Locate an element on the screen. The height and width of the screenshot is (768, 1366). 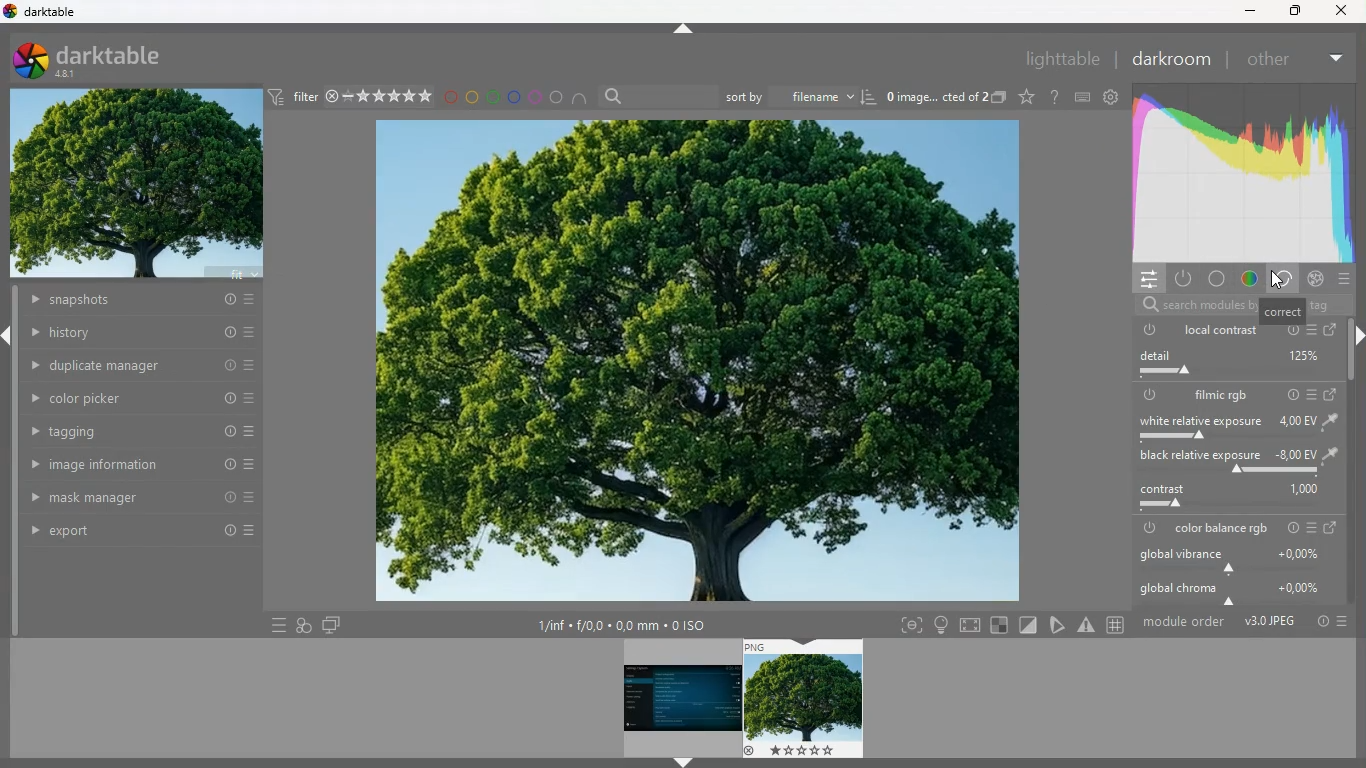
tagging is located at coordinates (133, 431).